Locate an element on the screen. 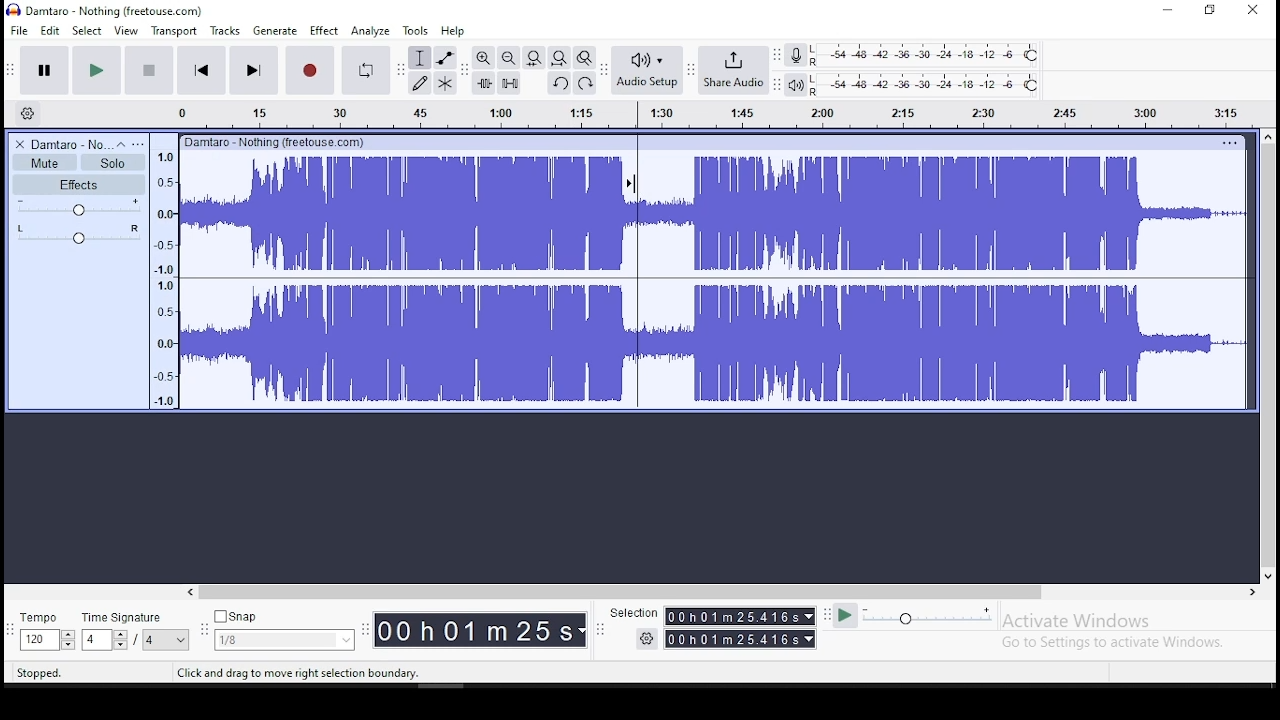 The width and height of the screenshot is (1280, 720). transport is located at coordinates (177, 30).